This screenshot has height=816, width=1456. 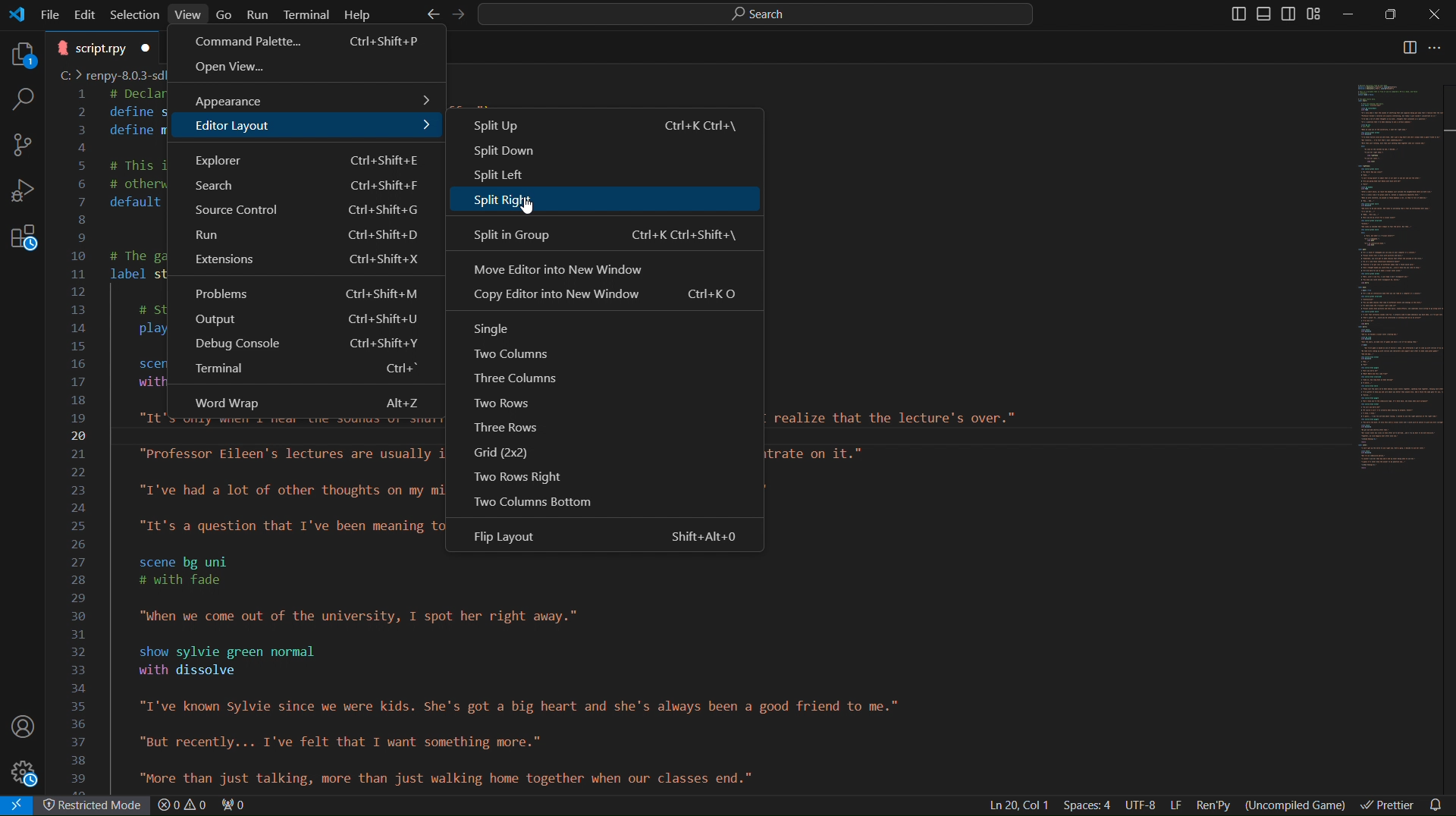 I want to click on Explorer   ctrl+shift+e, so click(x=303, y=158).